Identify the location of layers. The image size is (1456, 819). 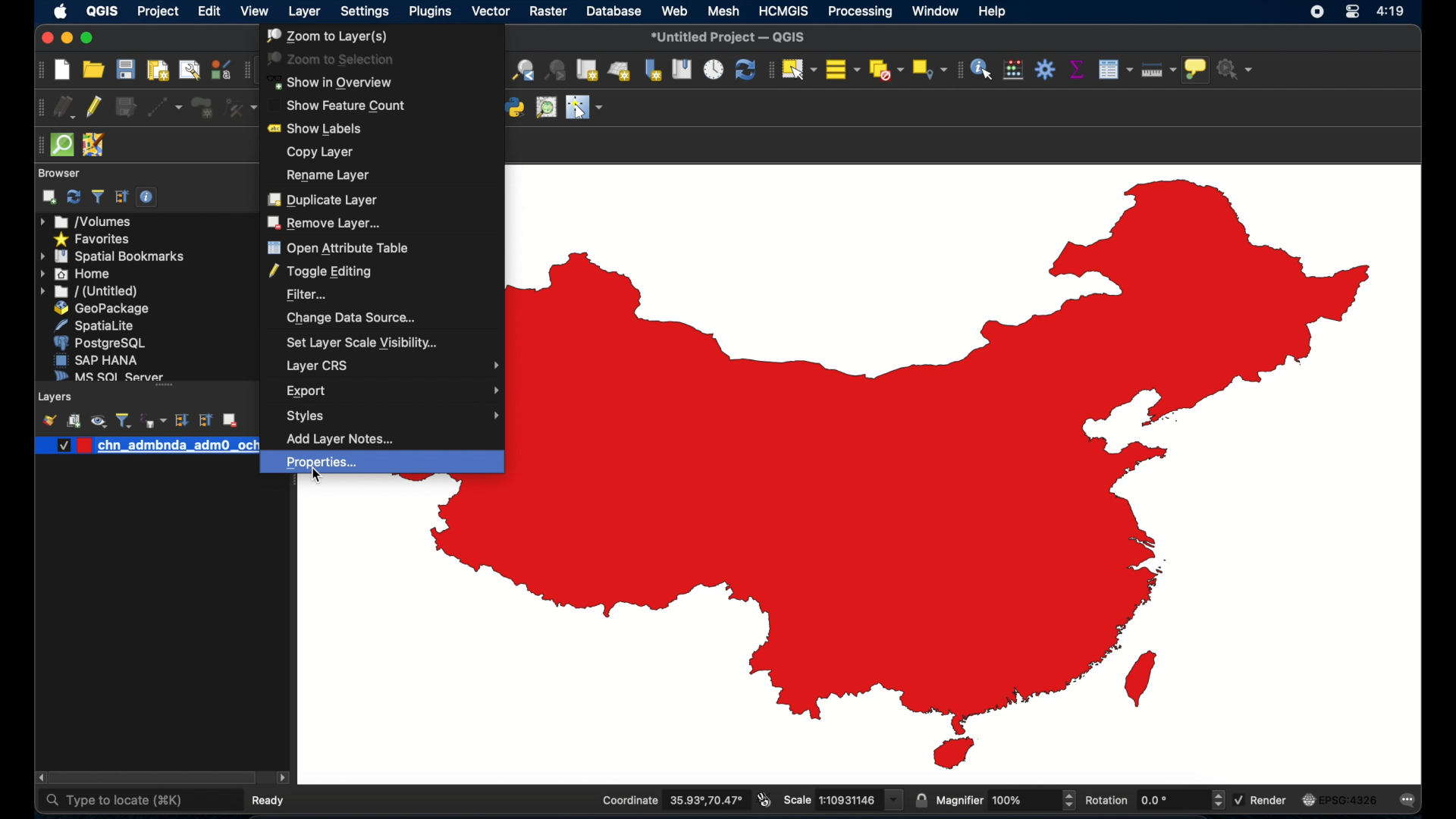
(57, 397).